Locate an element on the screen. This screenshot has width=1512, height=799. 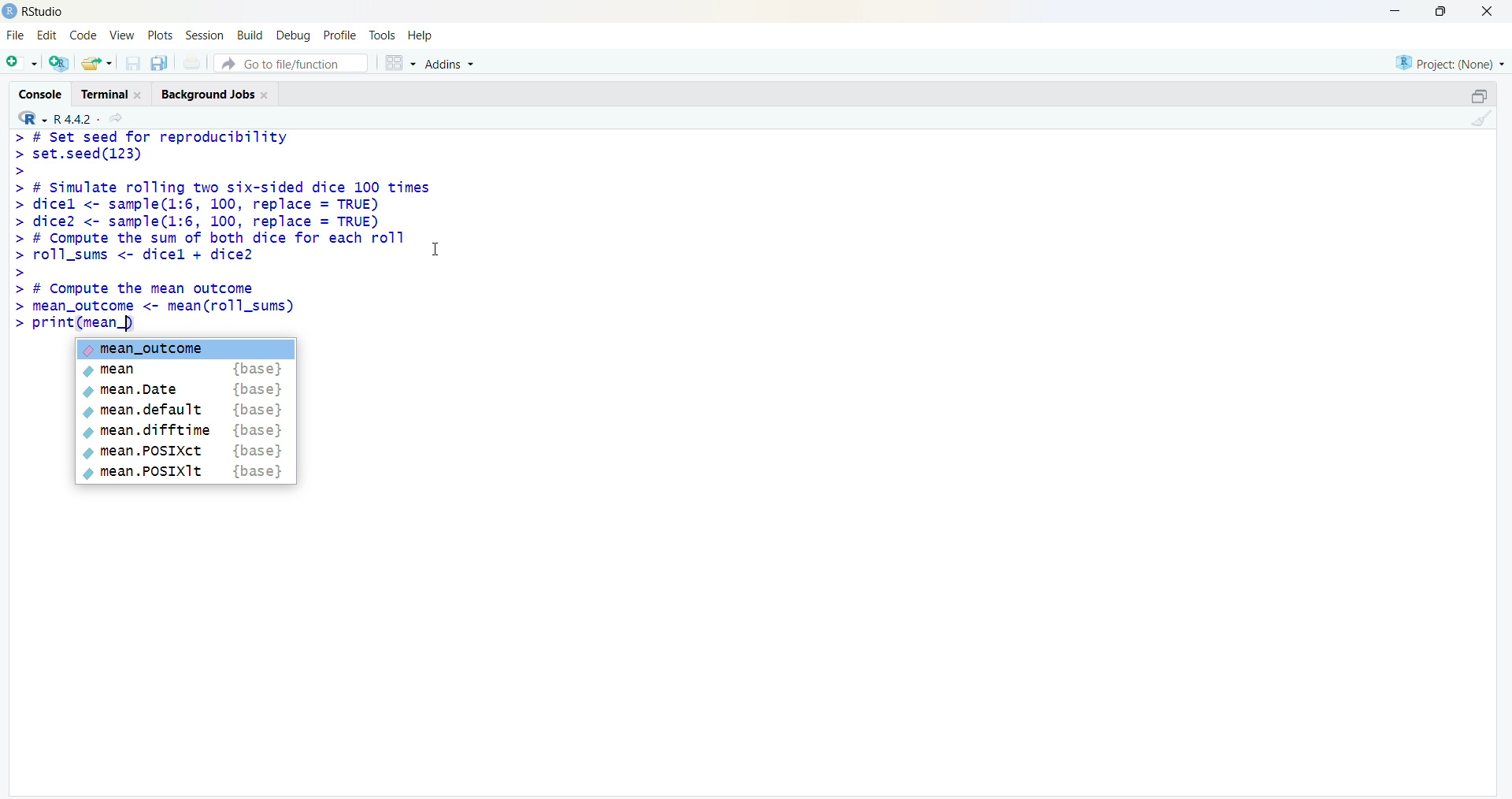
mean_outcome is located at coordinates (184, 349).